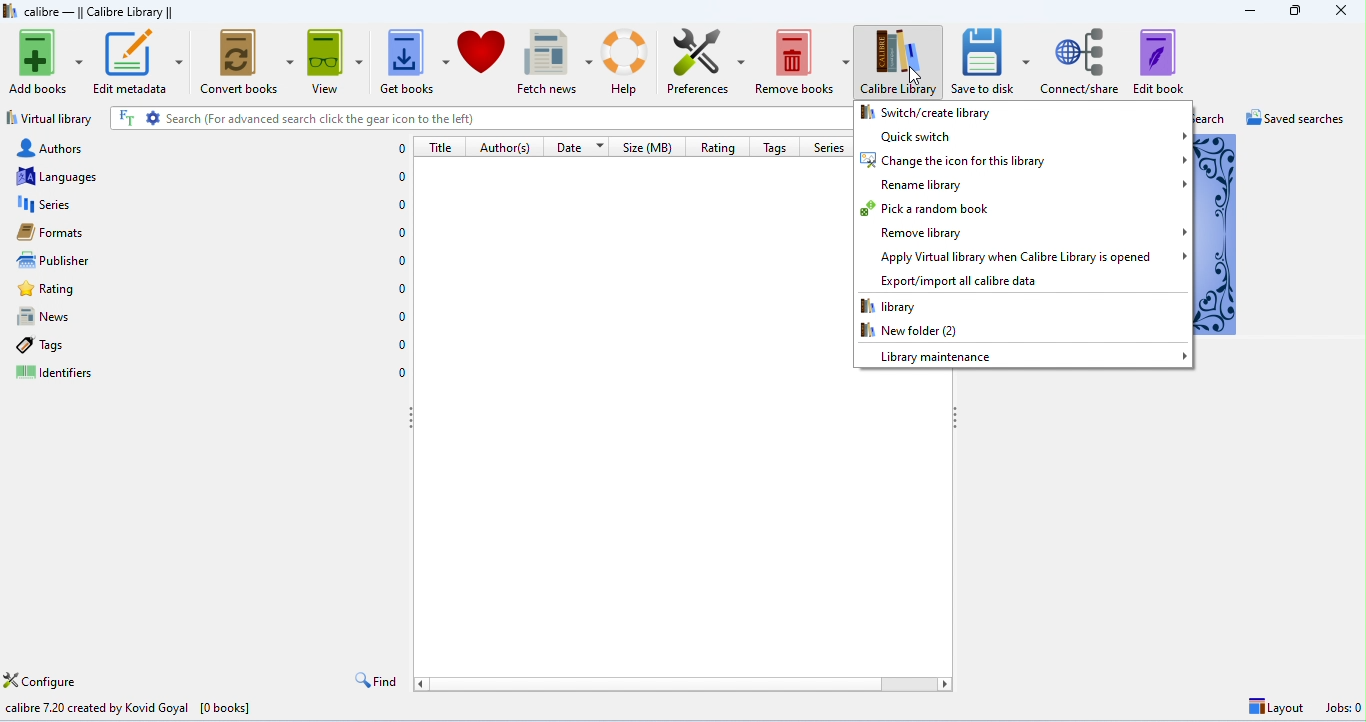  What do you see at coordinates (582, 146) in the screenshot?
I see `date` at bounding box center [582, 146].